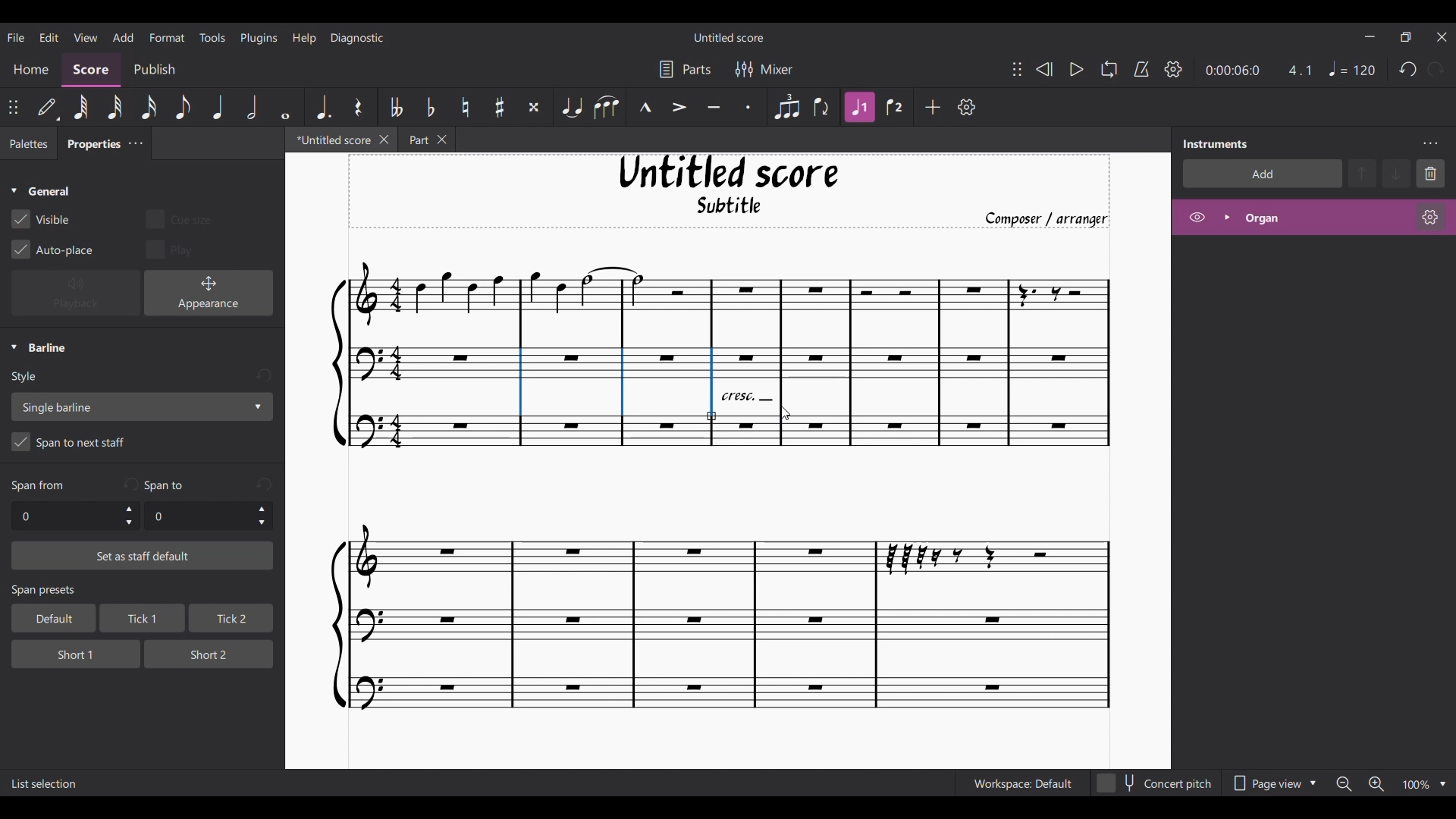 The height and width of the screenshot is (819, 1456). What do you see at coordinates (1271, 783) in the screenshot?
I see `Page view options` at bounding box center [1271, 783].